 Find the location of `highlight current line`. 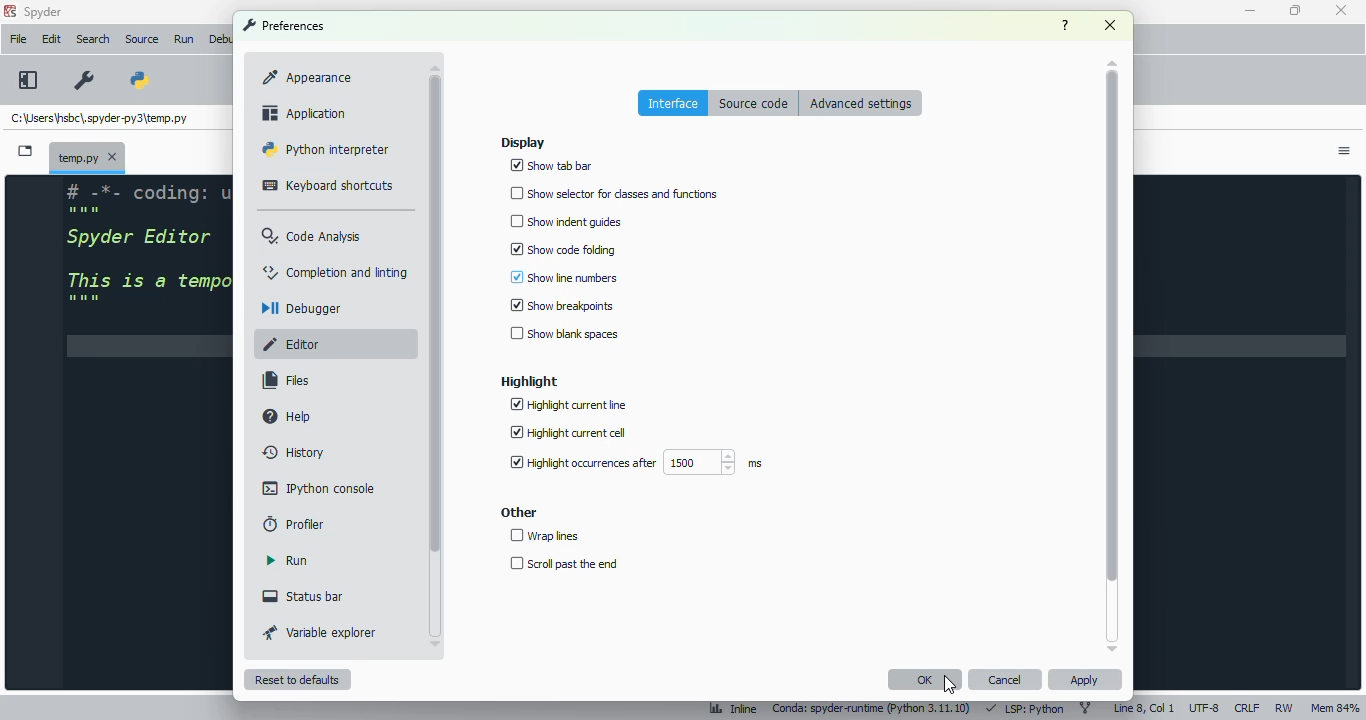

highlight current line is located at coordinates (569, 405).